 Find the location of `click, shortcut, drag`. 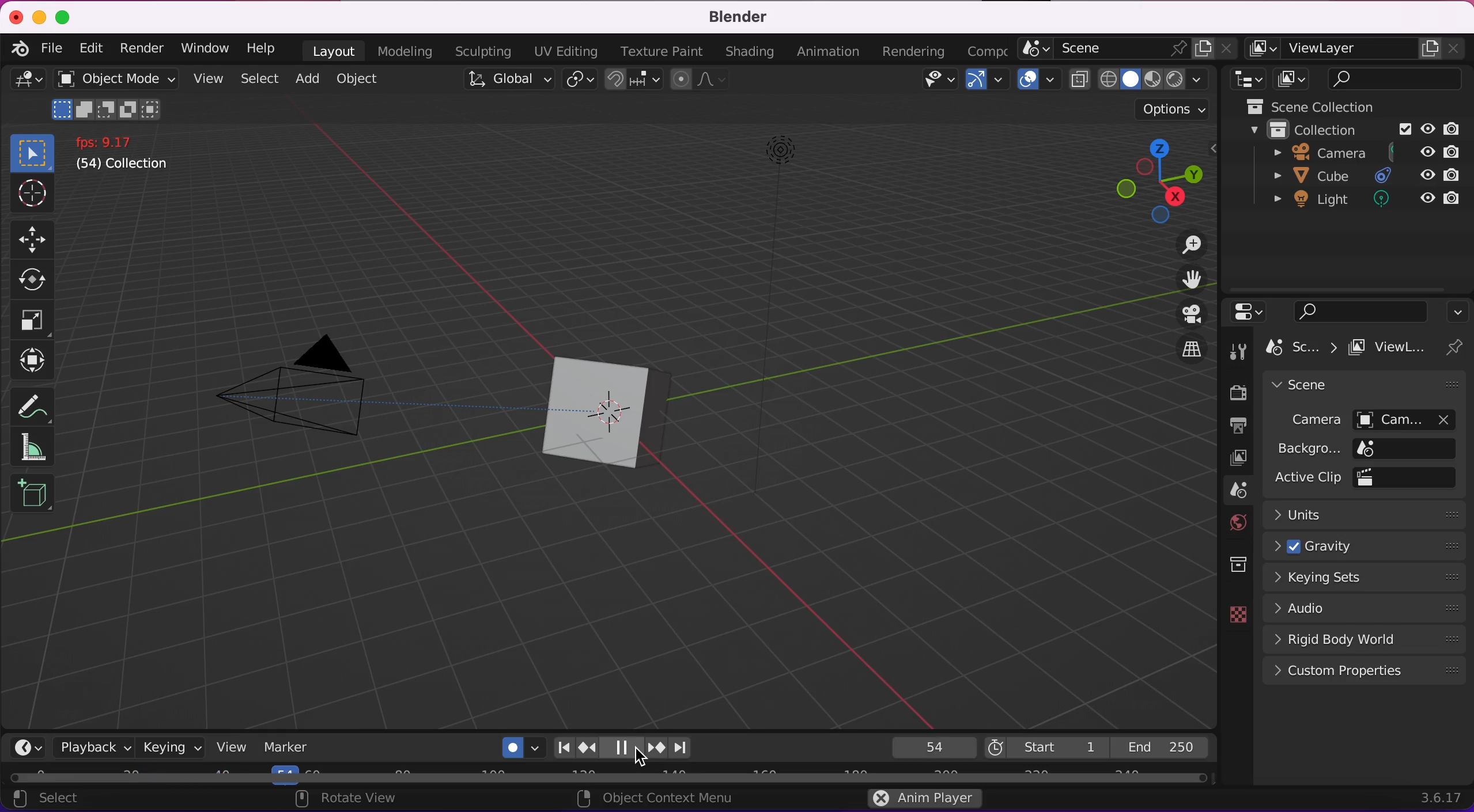

click, shortcut, drag is located at coordinates (1161, 181).